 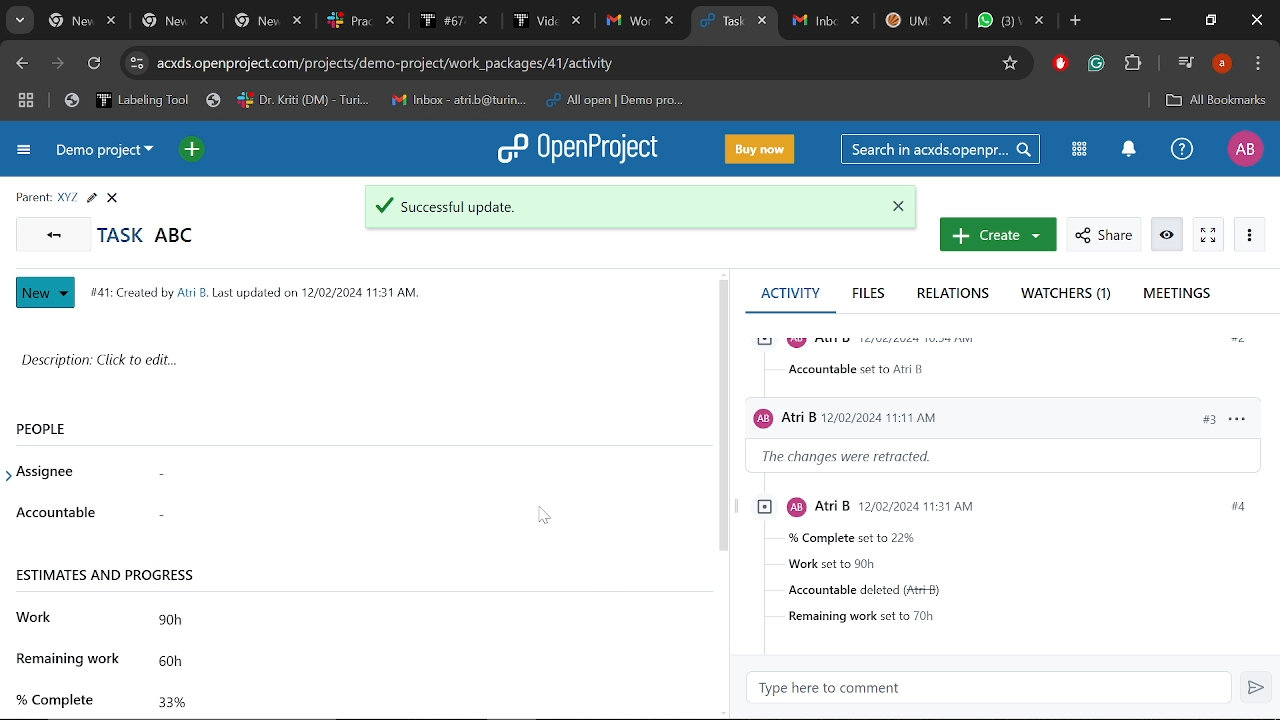 I want to click on Go back to all tasks, so click(x=54, y=235).